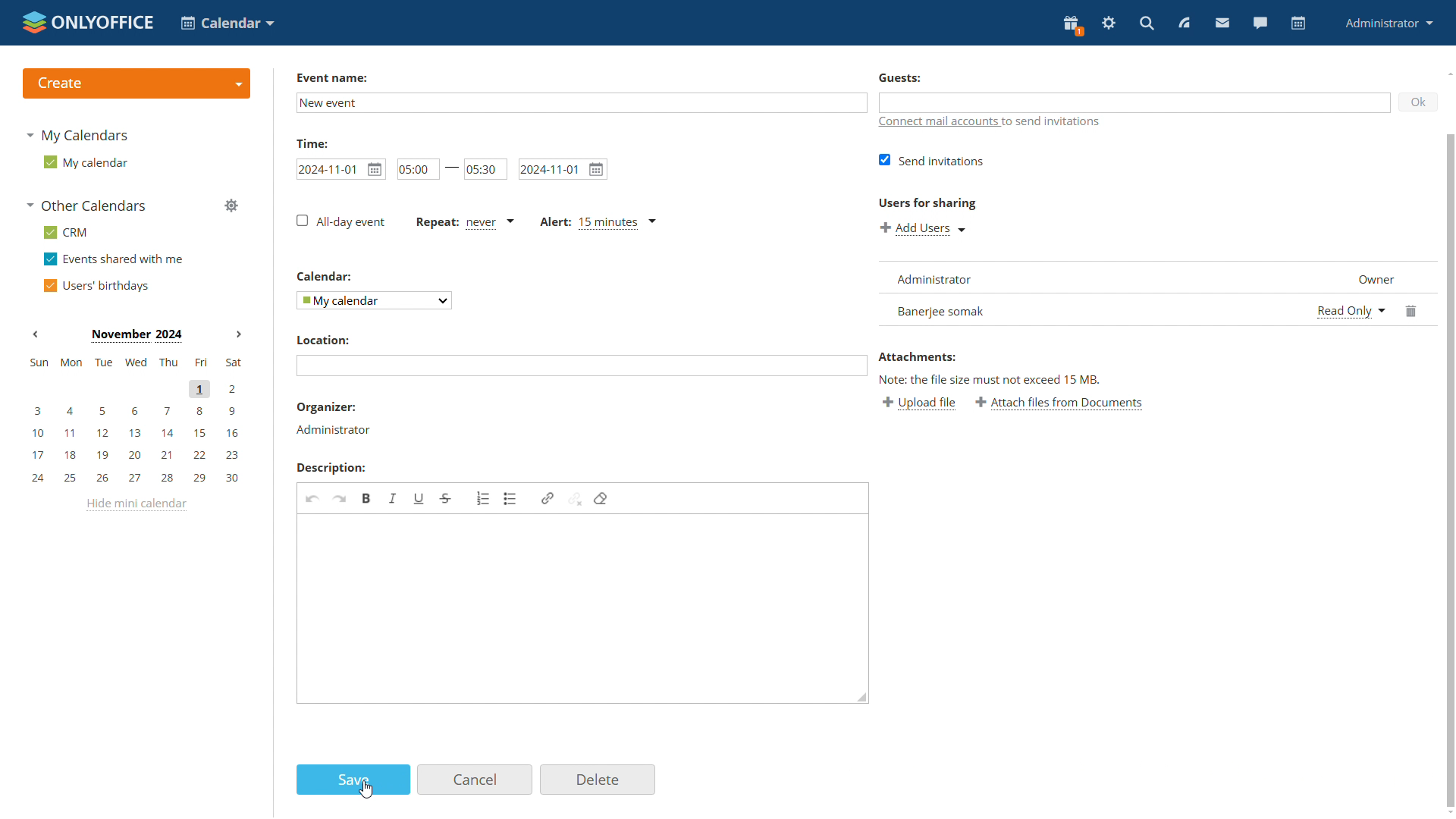 This screenshot has width=1456, height=819. Describe the element at coordinates (463, 221) in the screenshot. I see `Event repetition set at never` at that location.